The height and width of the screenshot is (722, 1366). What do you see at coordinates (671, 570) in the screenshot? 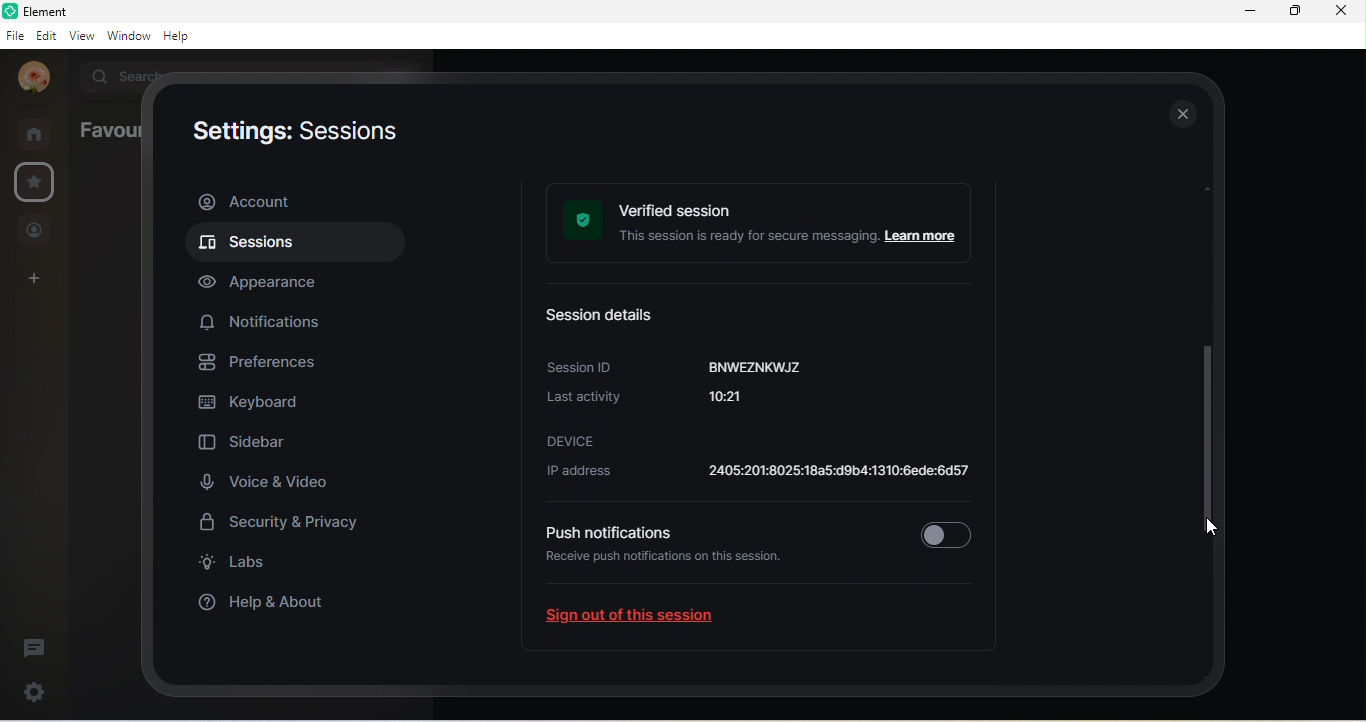
I see `receive push notifications on this session` at bounding box center [671, 570].